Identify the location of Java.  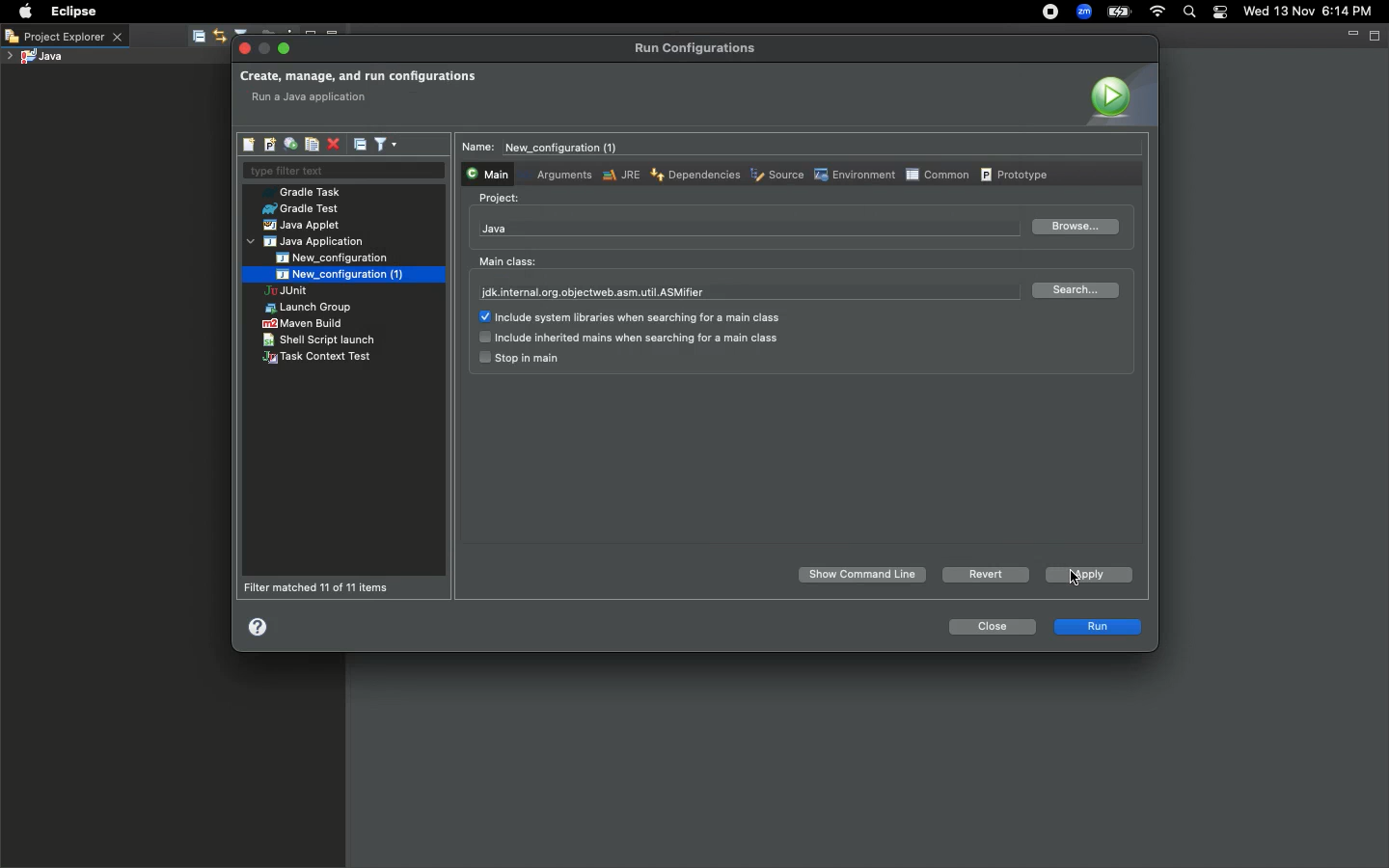
(495, 229).